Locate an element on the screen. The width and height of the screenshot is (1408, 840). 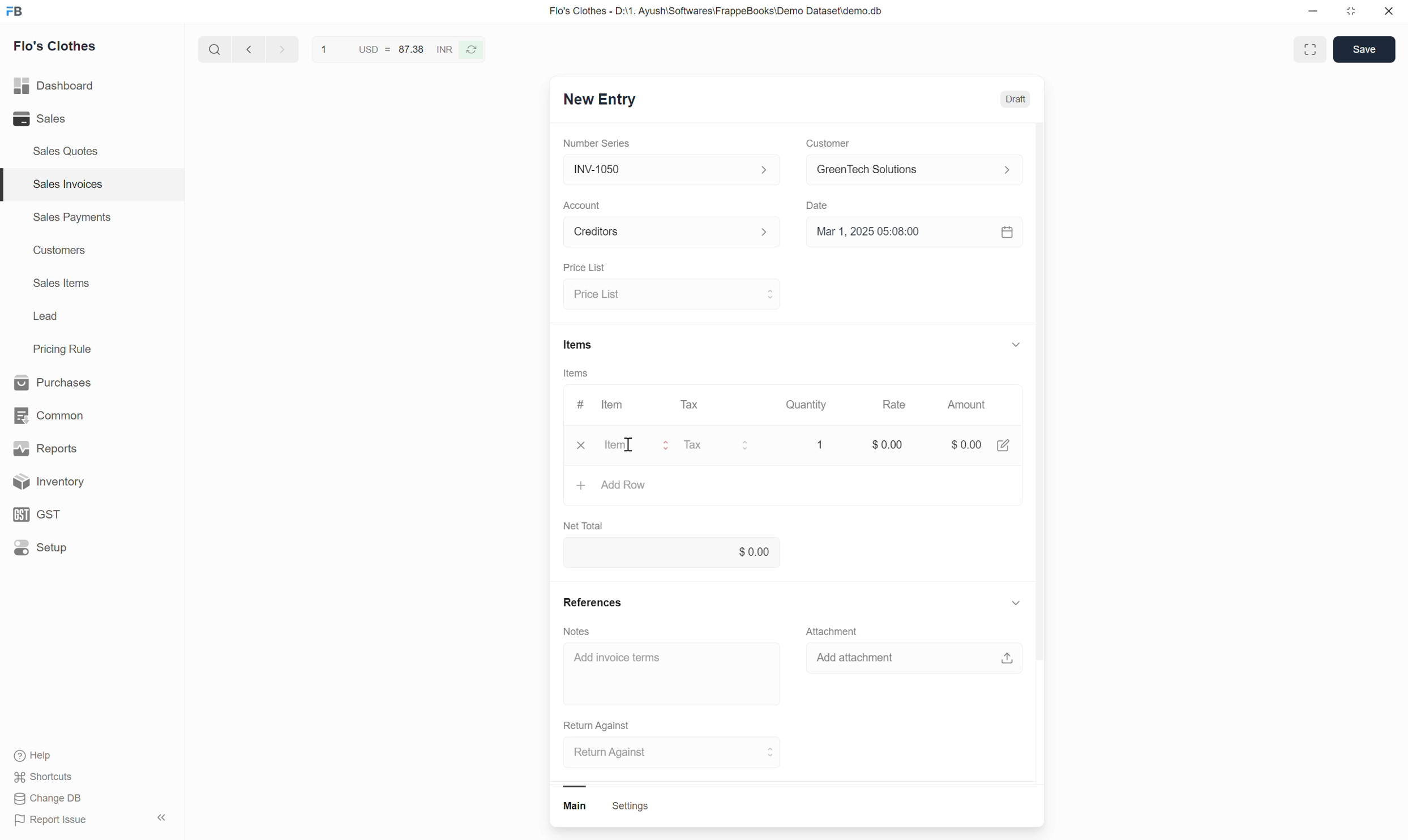
Report Issue  is located at coordinates (60, 822).